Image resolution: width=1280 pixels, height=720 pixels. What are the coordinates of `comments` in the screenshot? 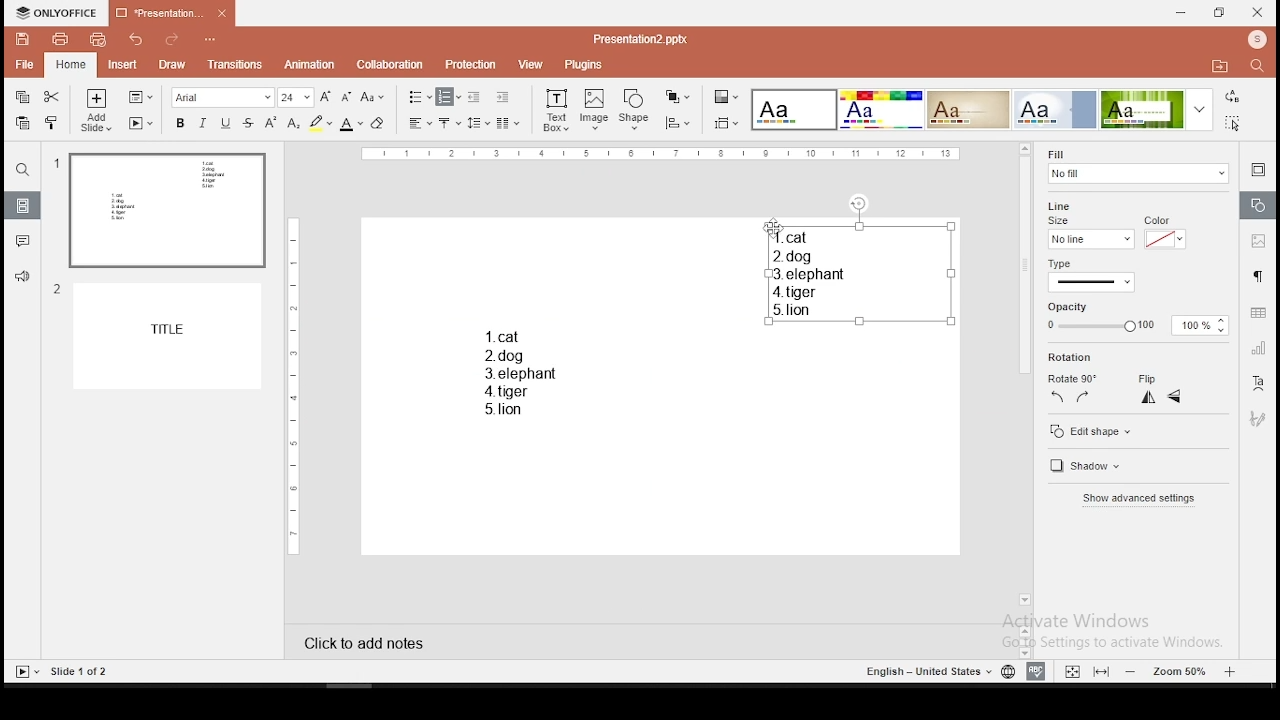 It's located at (20, 242).